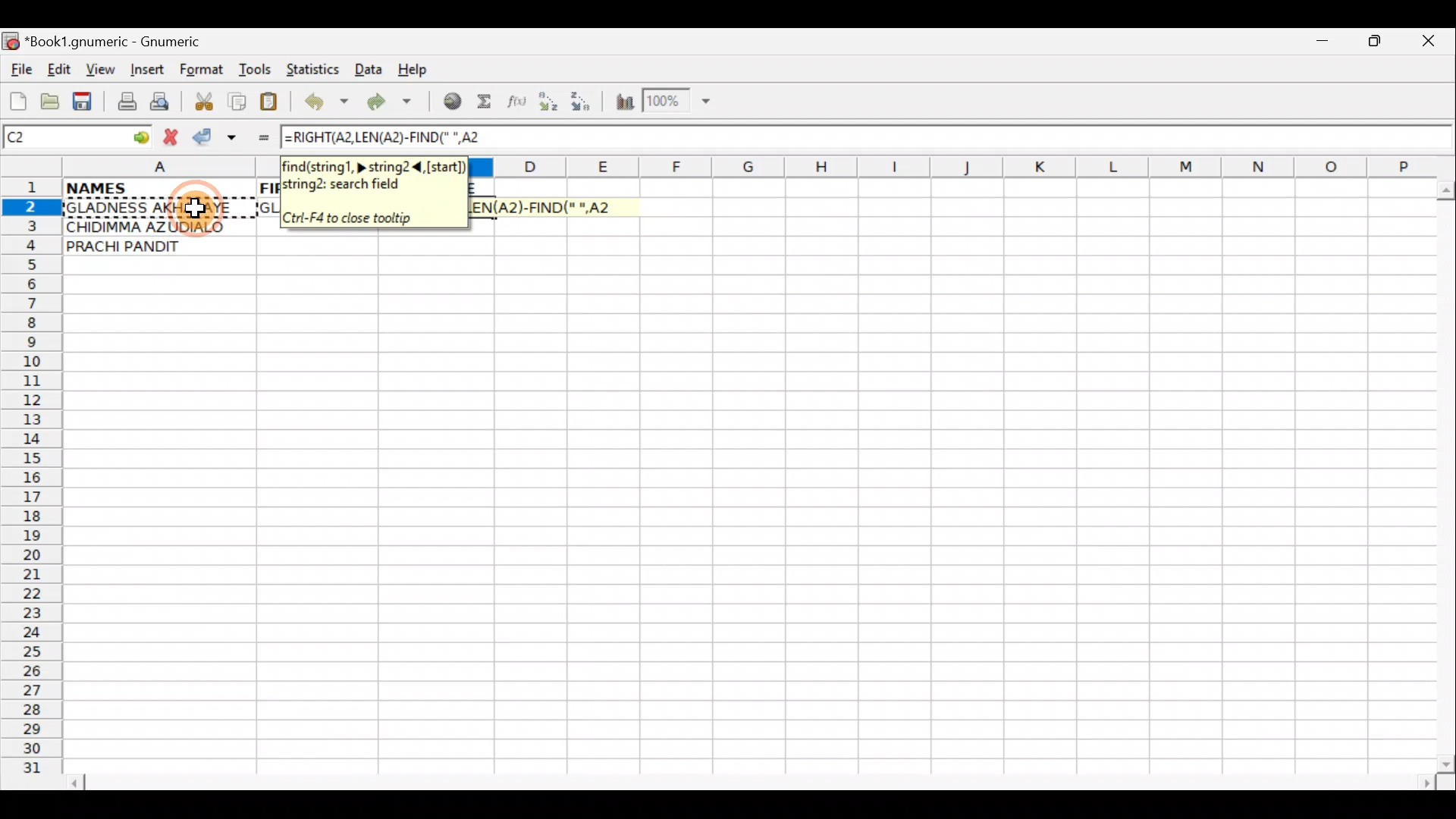  Describe the element at coordinates (61, 138) in the screenshot. I see `Cell name C2` at that location.